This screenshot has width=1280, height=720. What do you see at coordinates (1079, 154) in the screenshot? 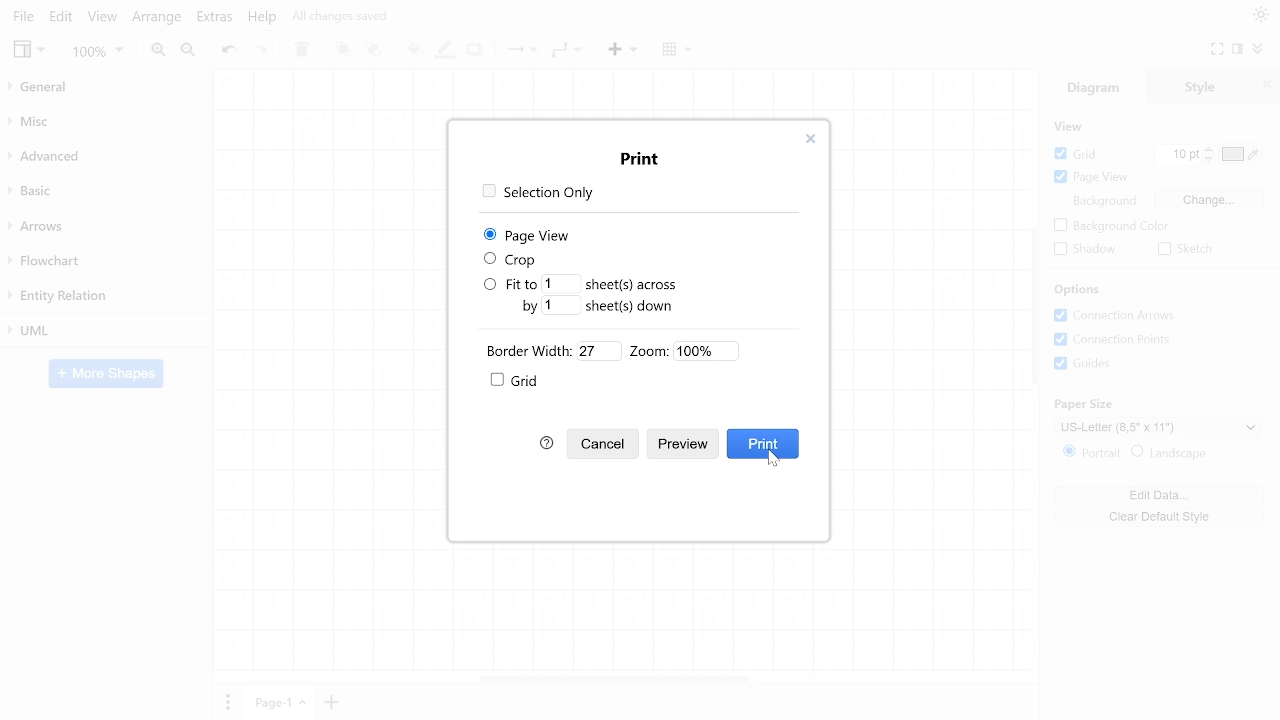
I see `Grid` at bounding box center [1079, 154].